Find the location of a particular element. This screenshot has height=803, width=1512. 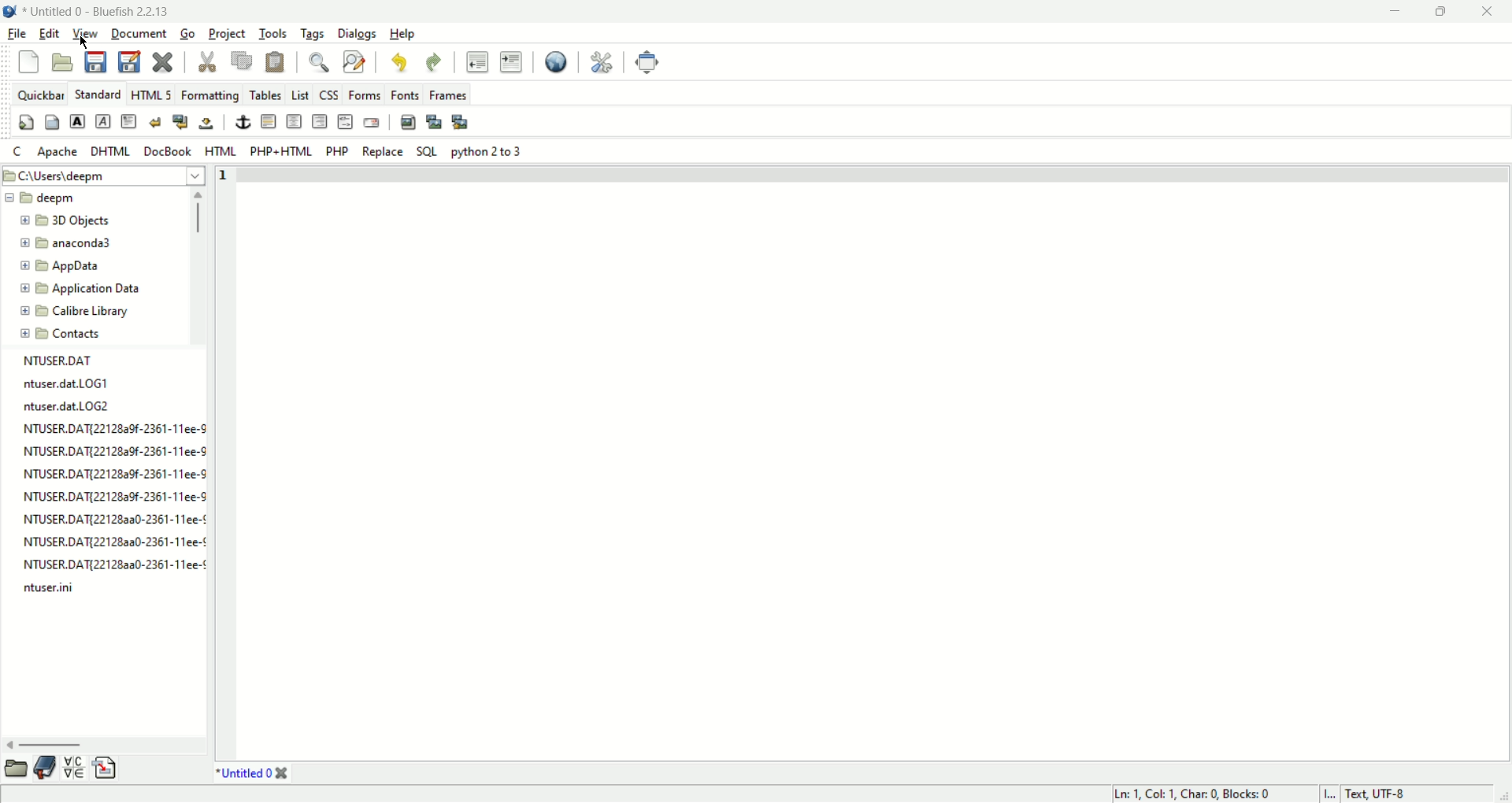

open file is located at coordinates (61, 63).